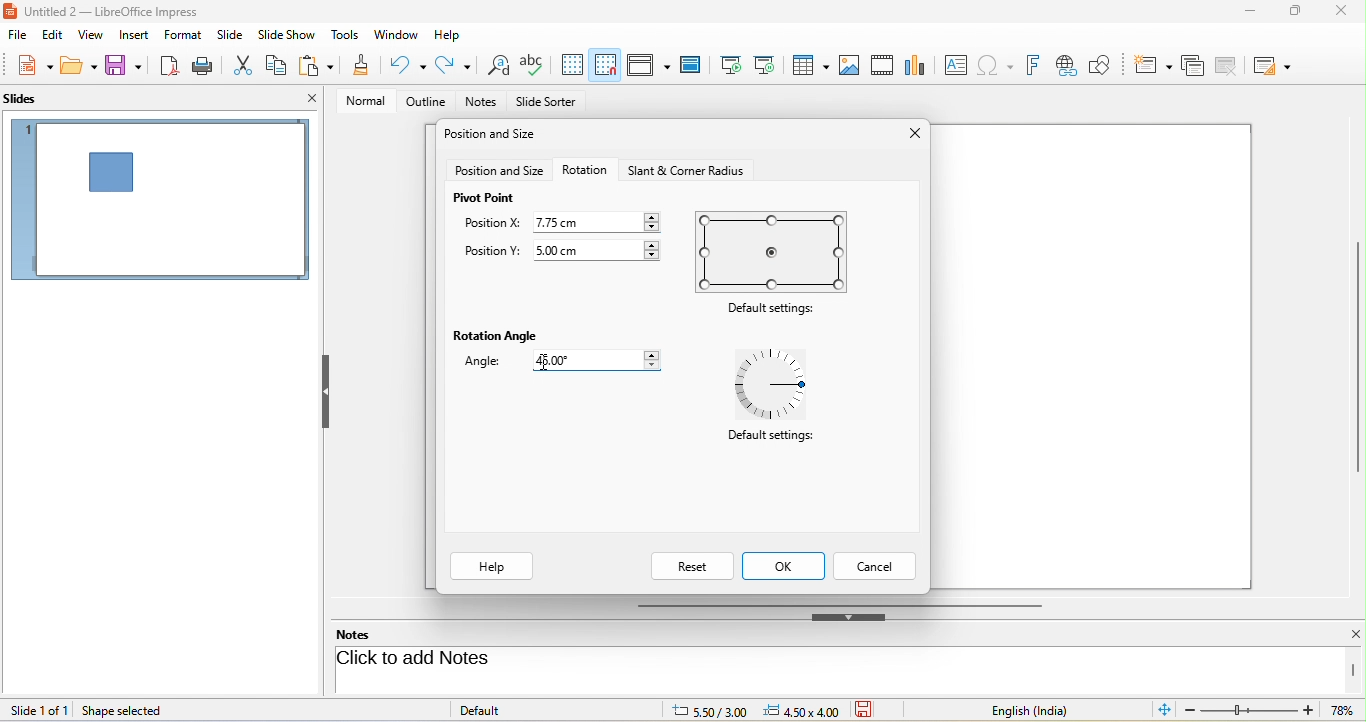 This screenshot has width=1366, height=722. Describe the element at coordinates (544, 362) in the screenshot. I see `cursor movement` at that location.